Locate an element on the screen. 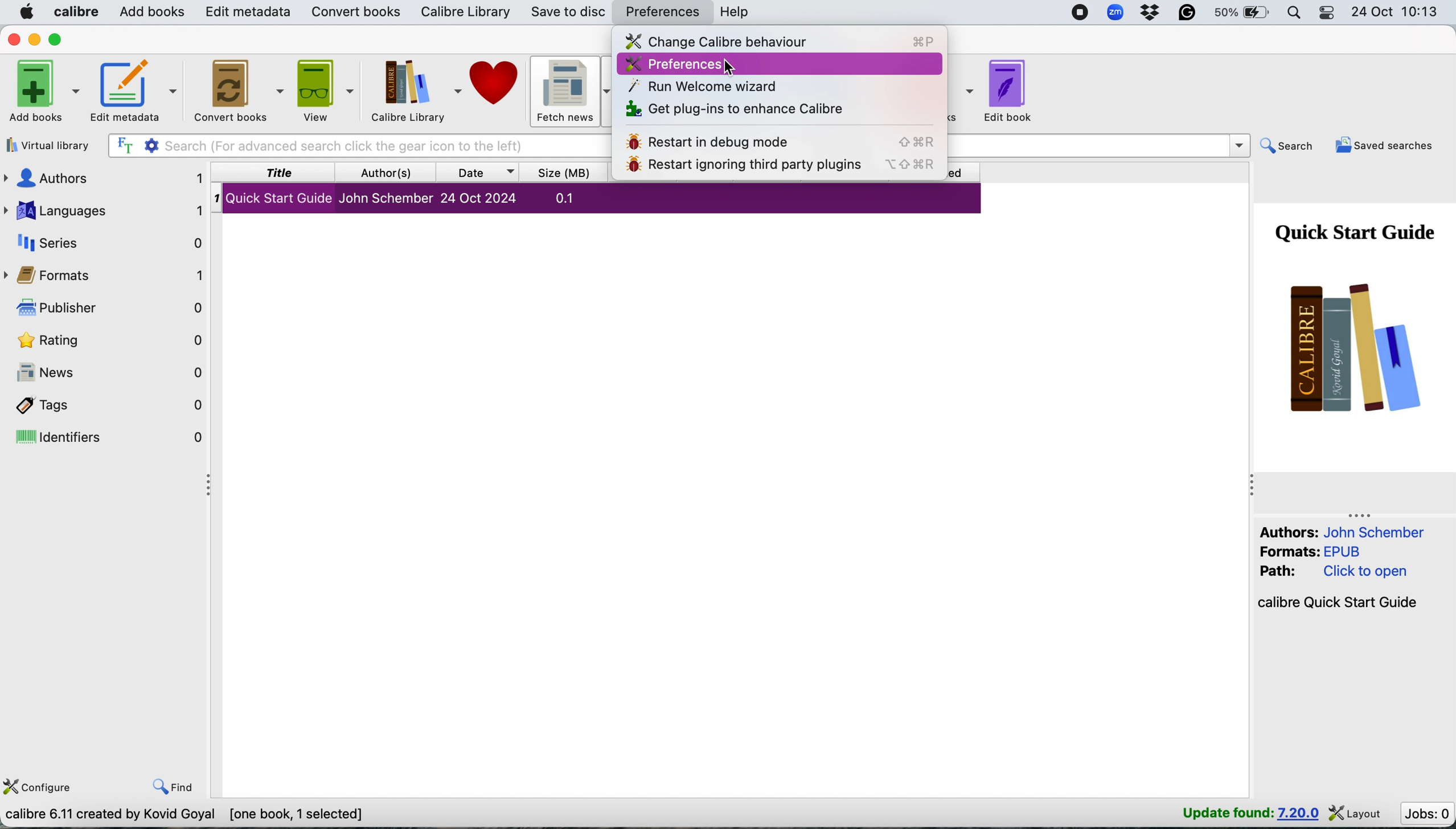 The height and width of the screenshot is (829, 1456). series is located at coordinates (107, 243).